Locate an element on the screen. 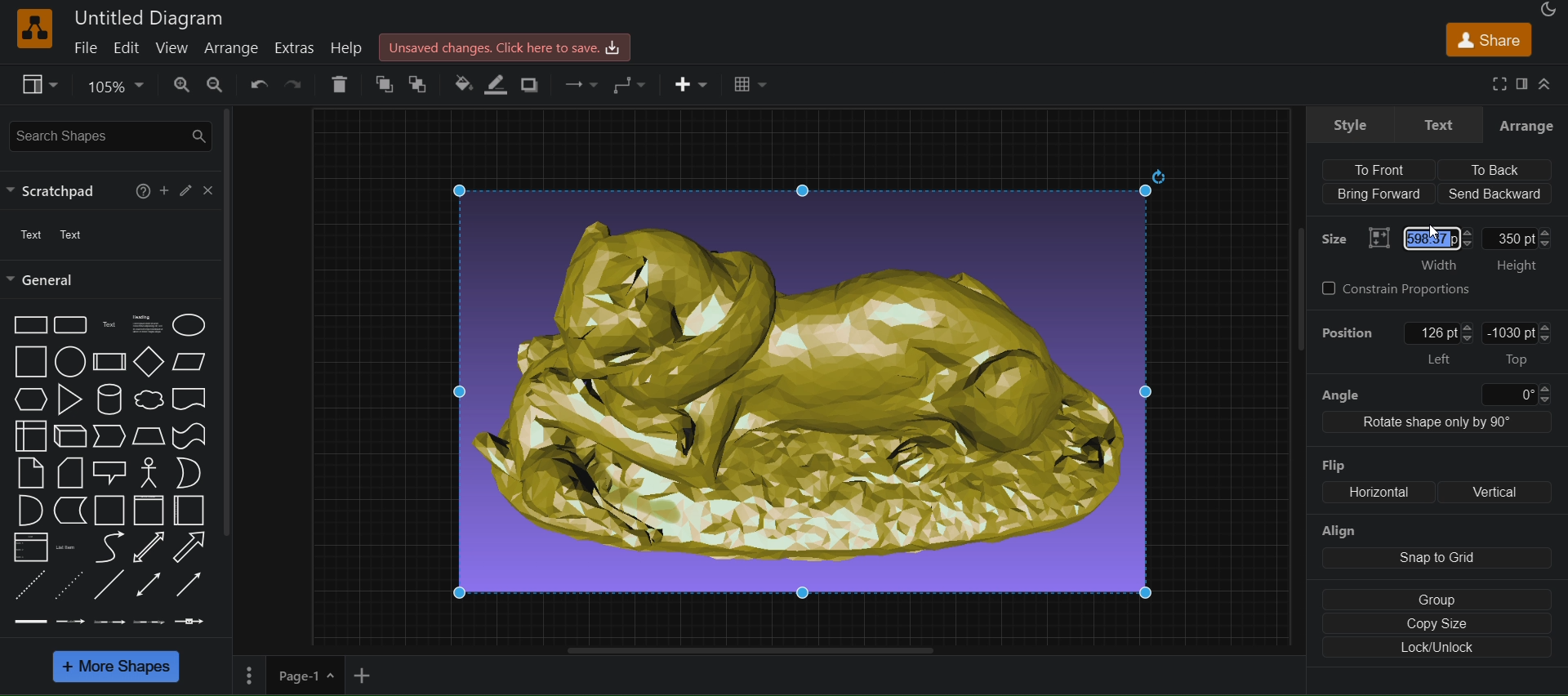  fill color is located at coordinates (462, 85).